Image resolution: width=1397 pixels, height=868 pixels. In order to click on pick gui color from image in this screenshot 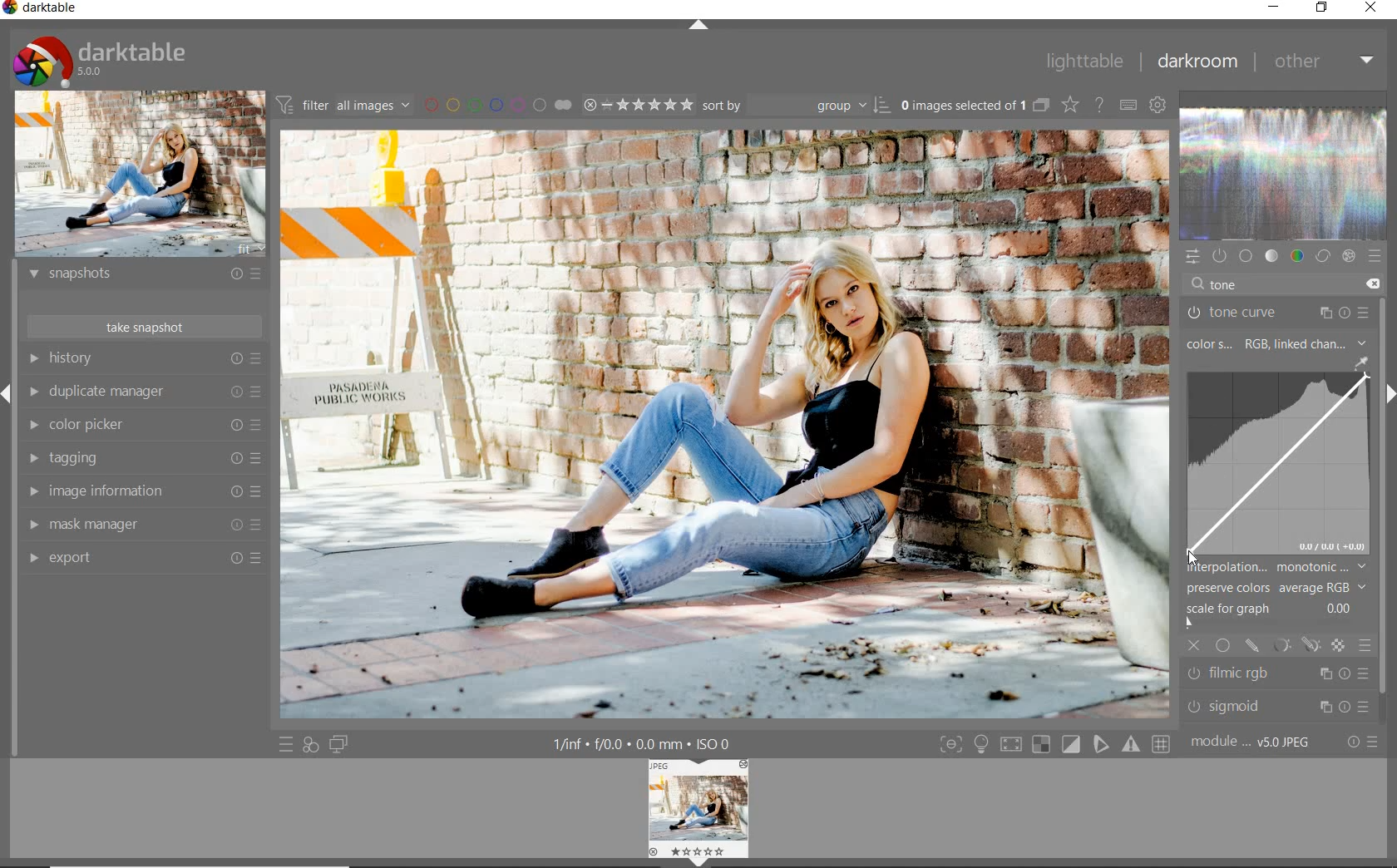, I will do `click(1360, 362)`.